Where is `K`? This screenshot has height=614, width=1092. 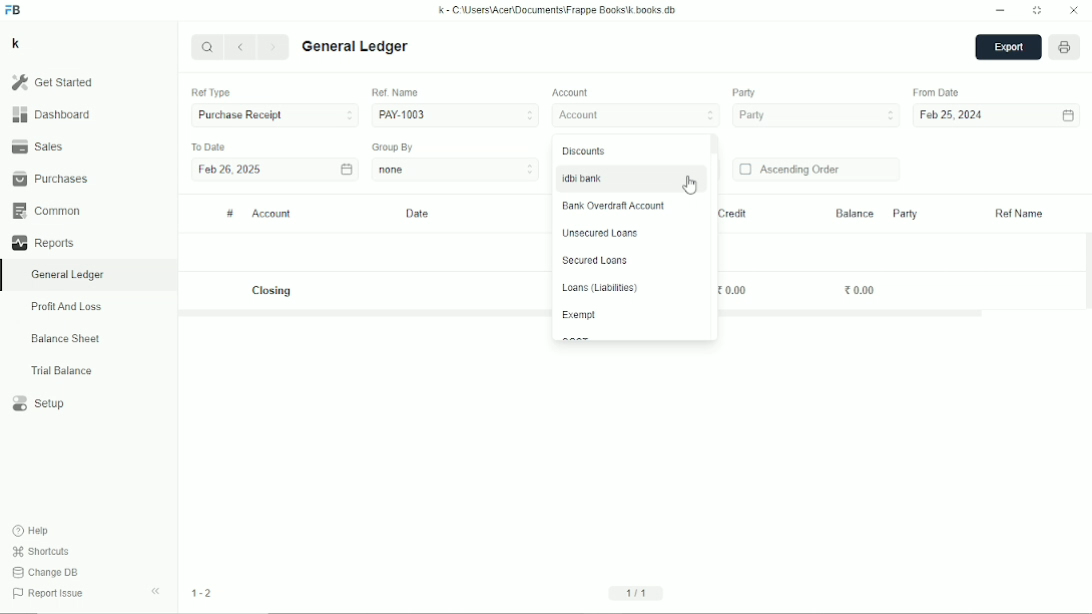
K is located at coordinates (16, 43).